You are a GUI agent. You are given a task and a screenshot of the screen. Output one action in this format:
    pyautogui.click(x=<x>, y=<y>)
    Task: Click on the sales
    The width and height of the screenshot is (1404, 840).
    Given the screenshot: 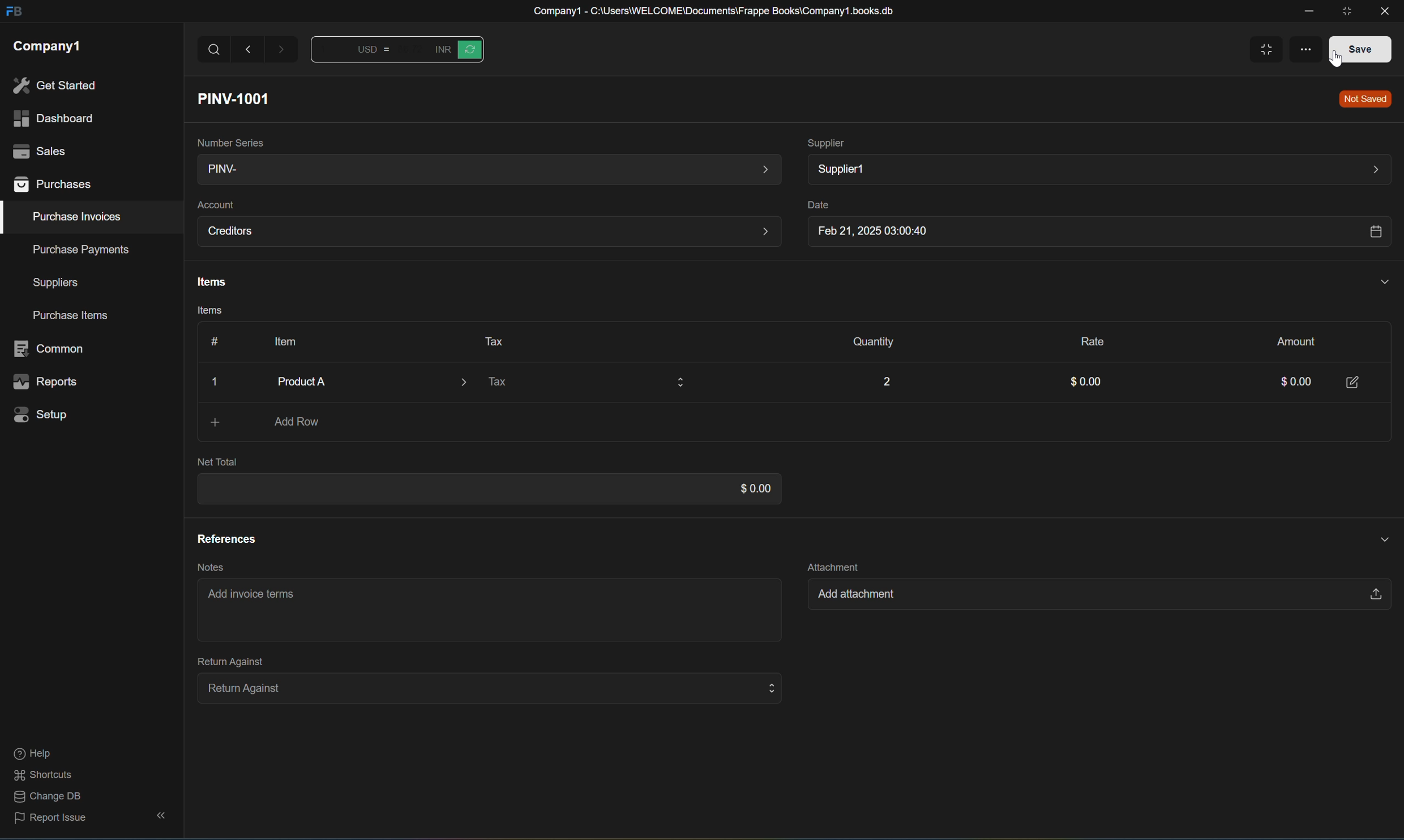 What is the action you would take?
    pyautogui.click(x=37, y=149)
    